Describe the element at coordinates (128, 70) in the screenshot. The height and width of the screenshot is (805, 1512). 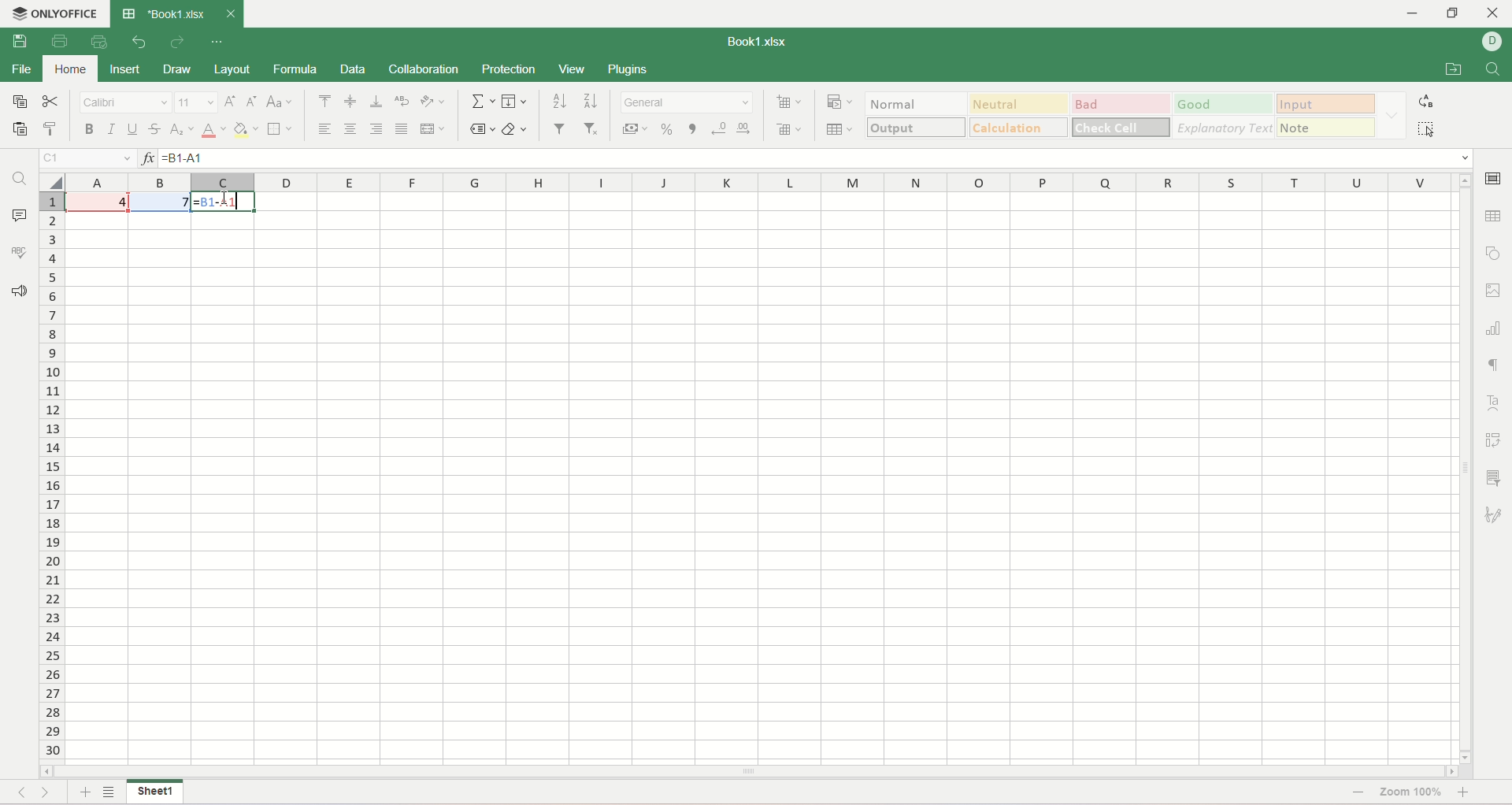
I see `insert` at that location.